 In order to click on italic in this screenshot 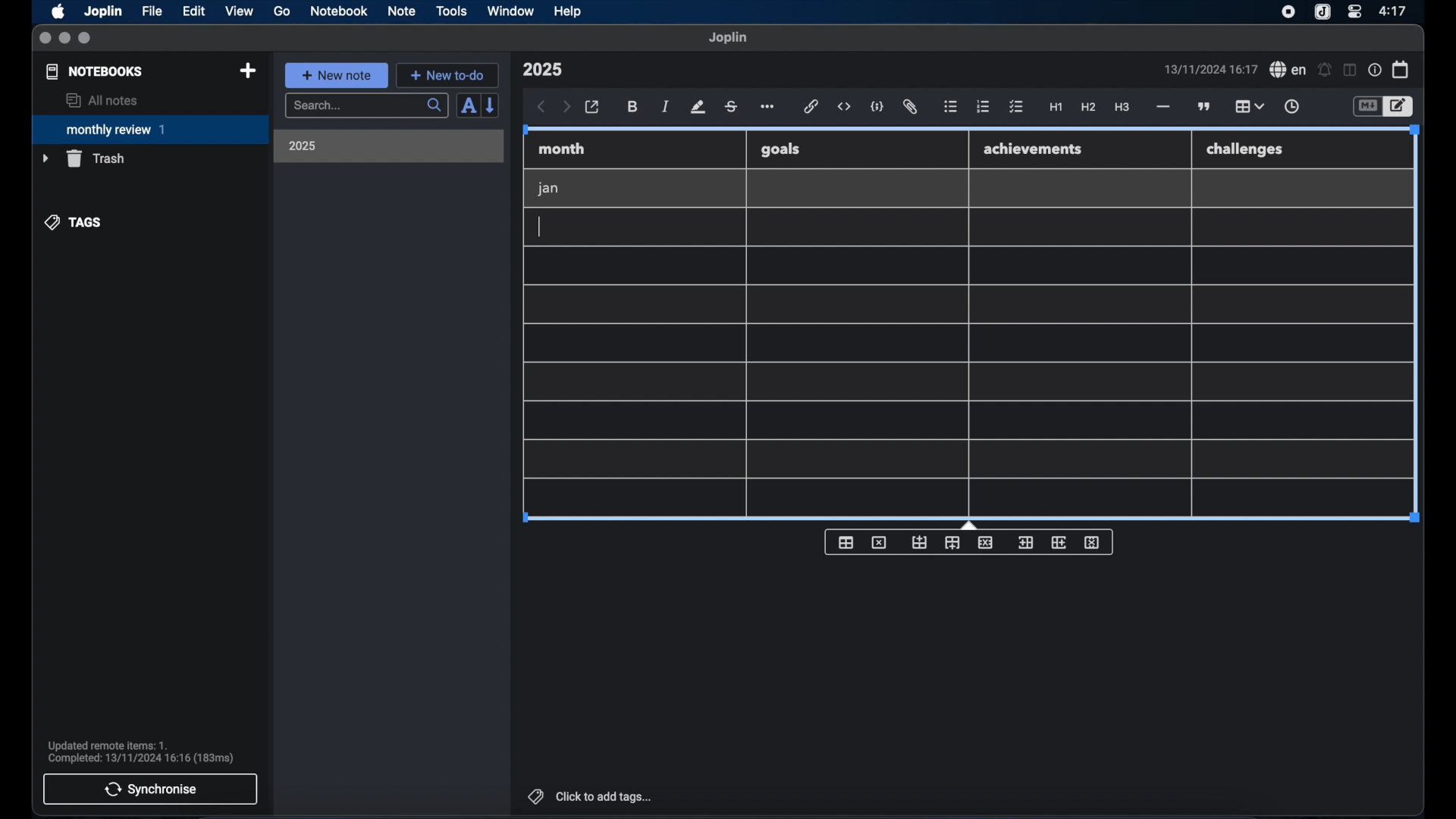, I will do `click(666, 106)`.